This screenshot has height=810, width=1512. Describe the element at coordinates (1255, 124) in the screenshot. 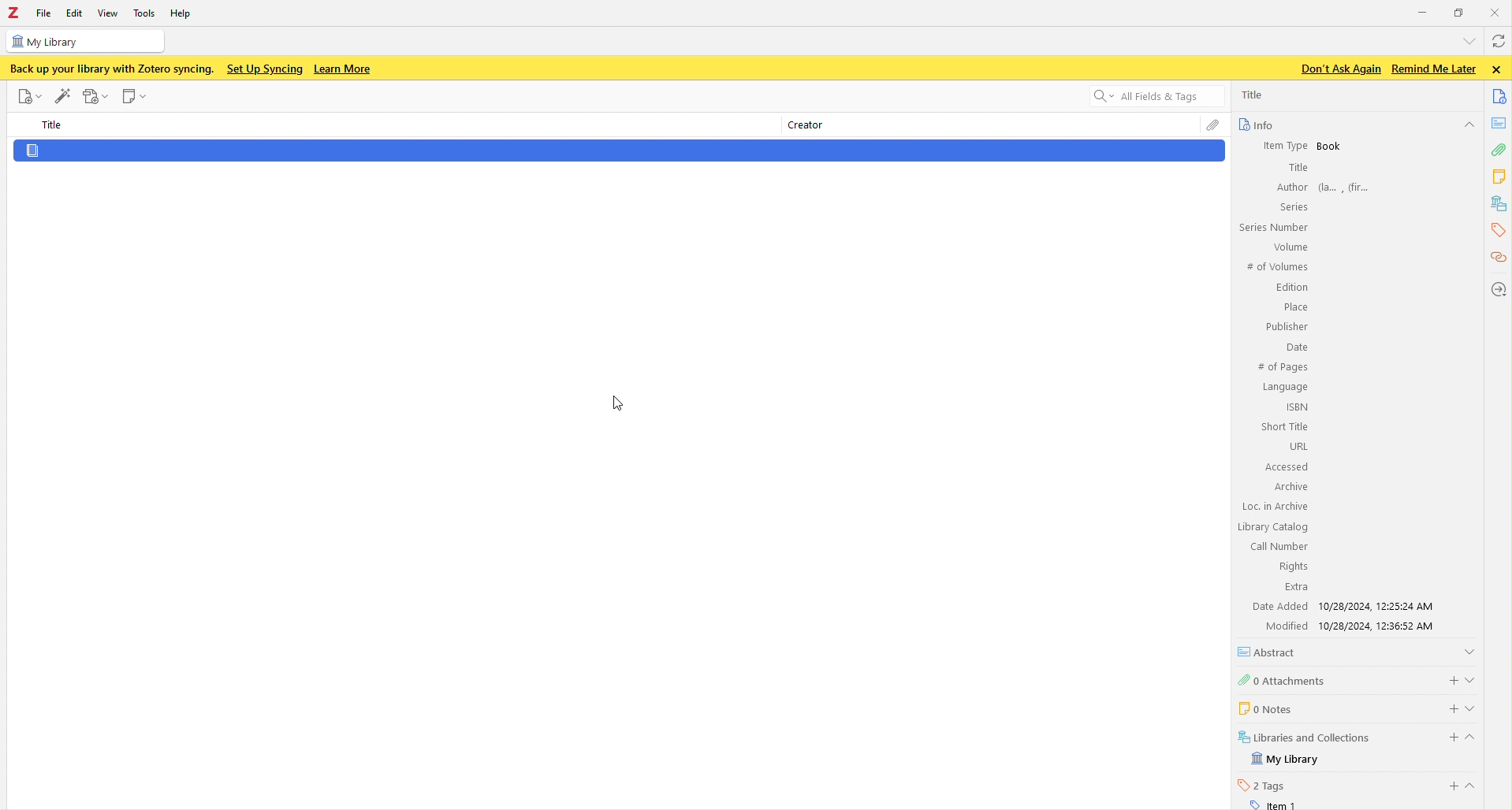

I see `Info` at that location.